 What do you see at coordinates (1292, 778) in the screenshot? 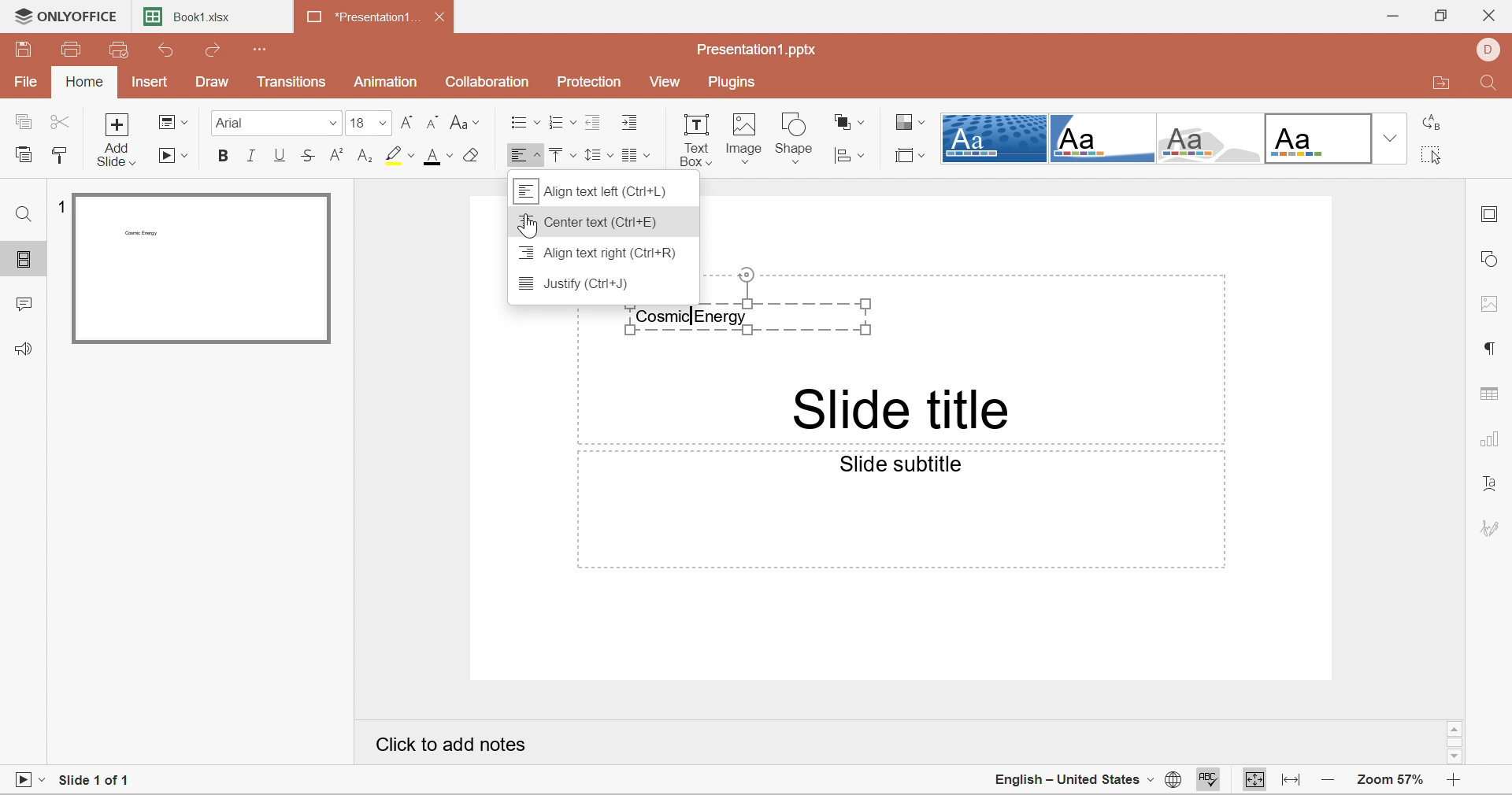
I see `Fit to width` at bounding box center [1292, 778].